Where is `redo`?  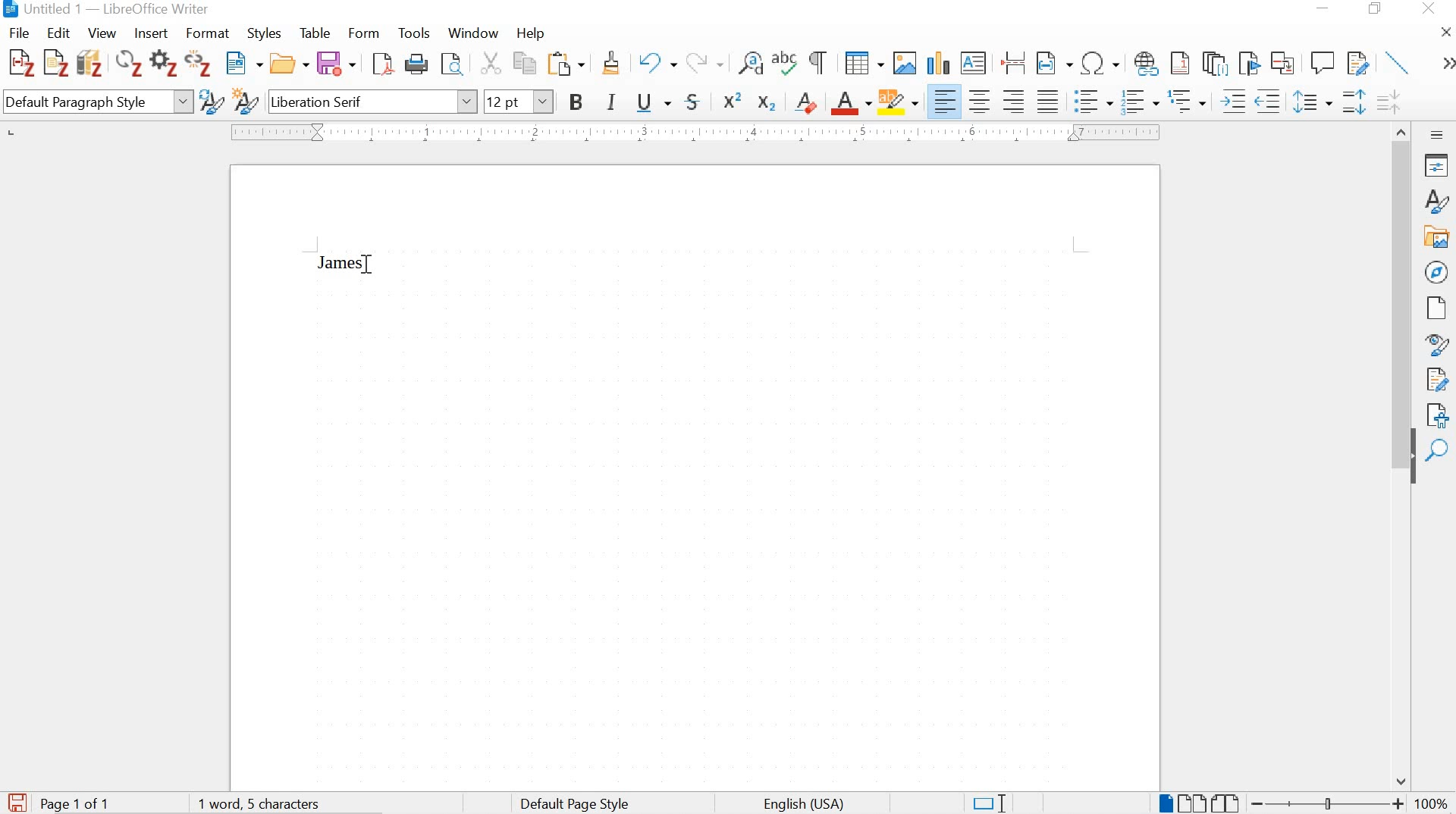
redo is located at coordinates (704, 61).